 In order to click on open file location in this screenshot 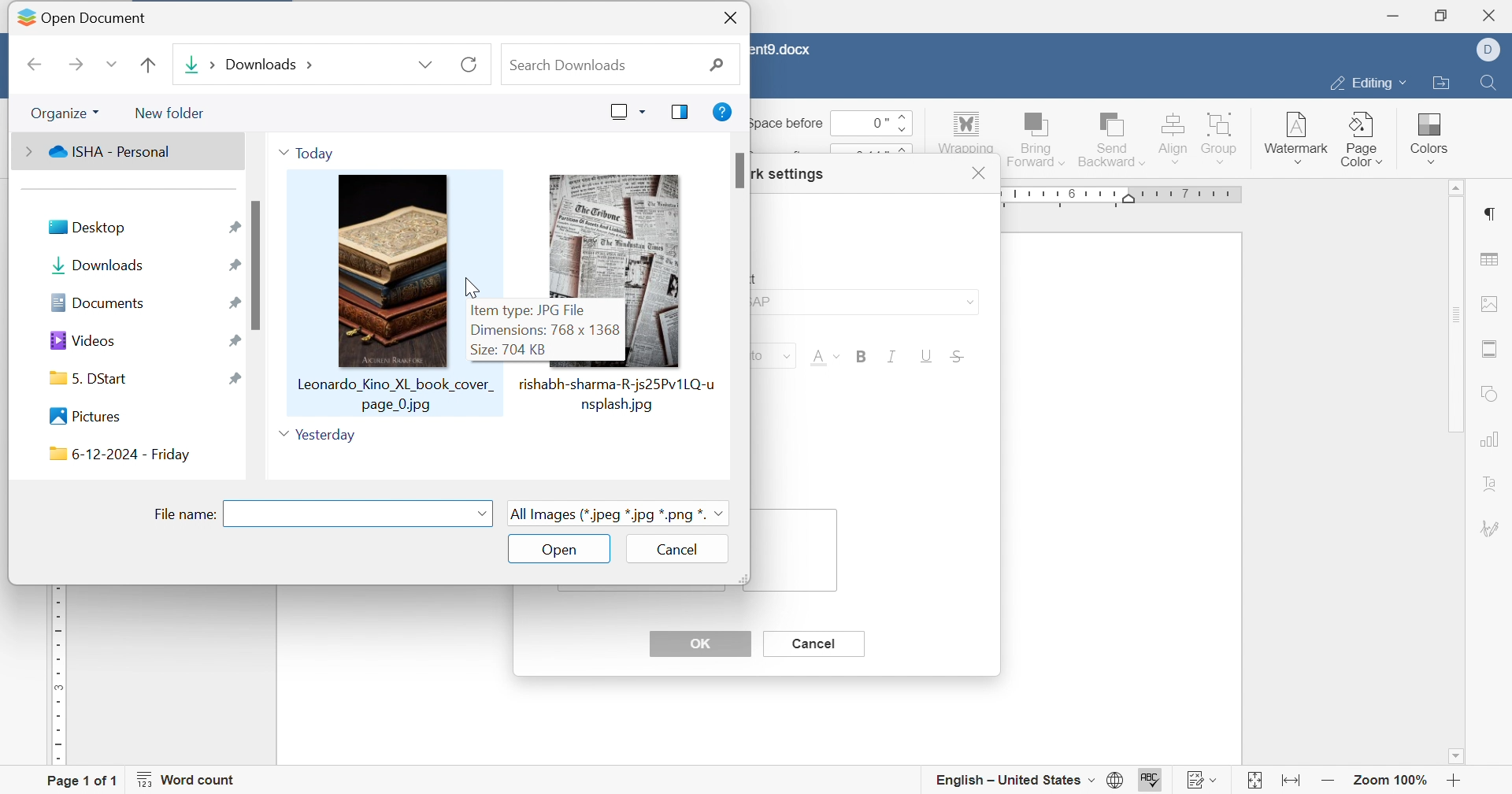, I will do `click(1440, 84)`.